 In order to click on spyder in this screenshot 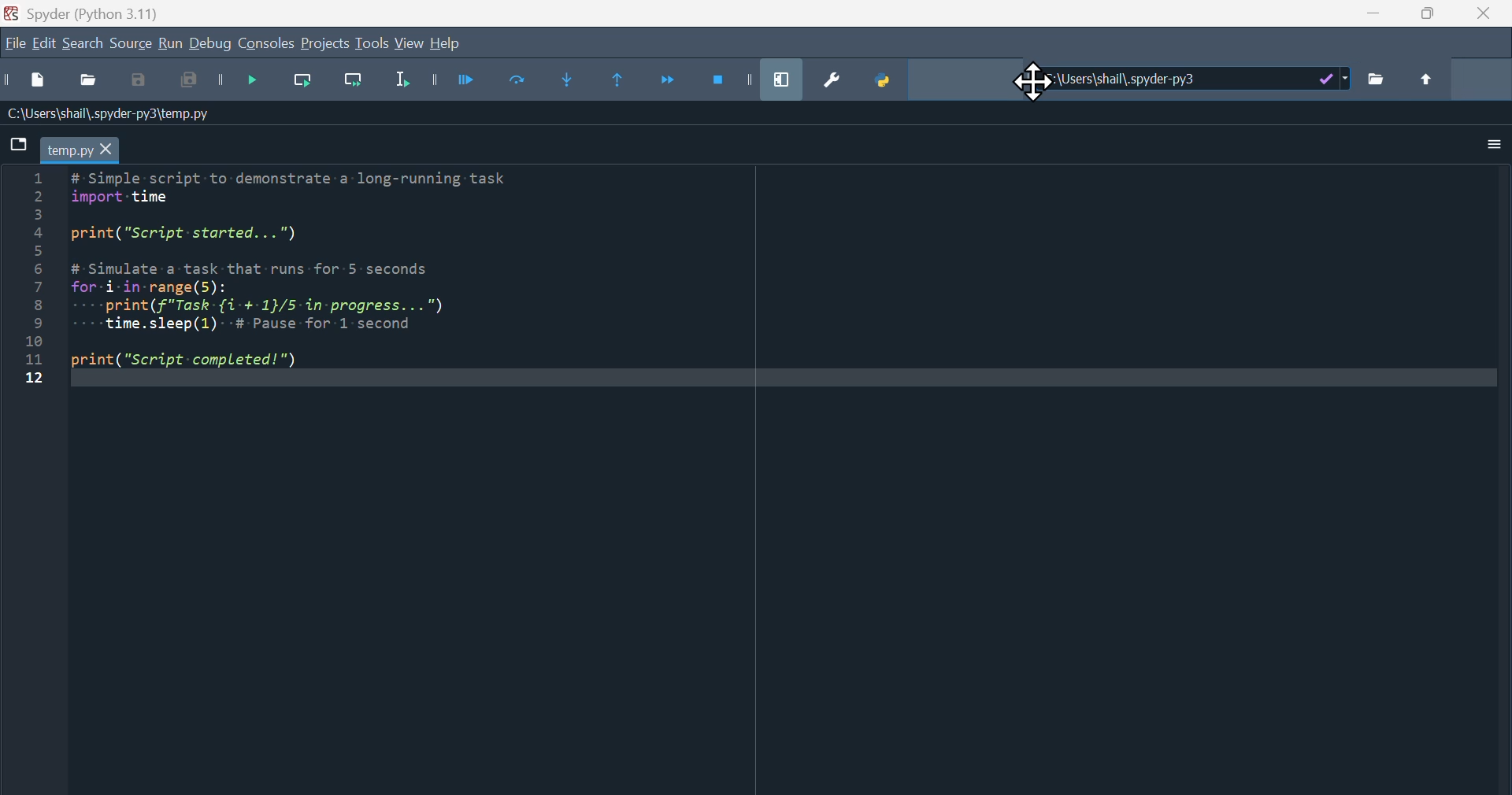, I will do `click(98, 13)`.